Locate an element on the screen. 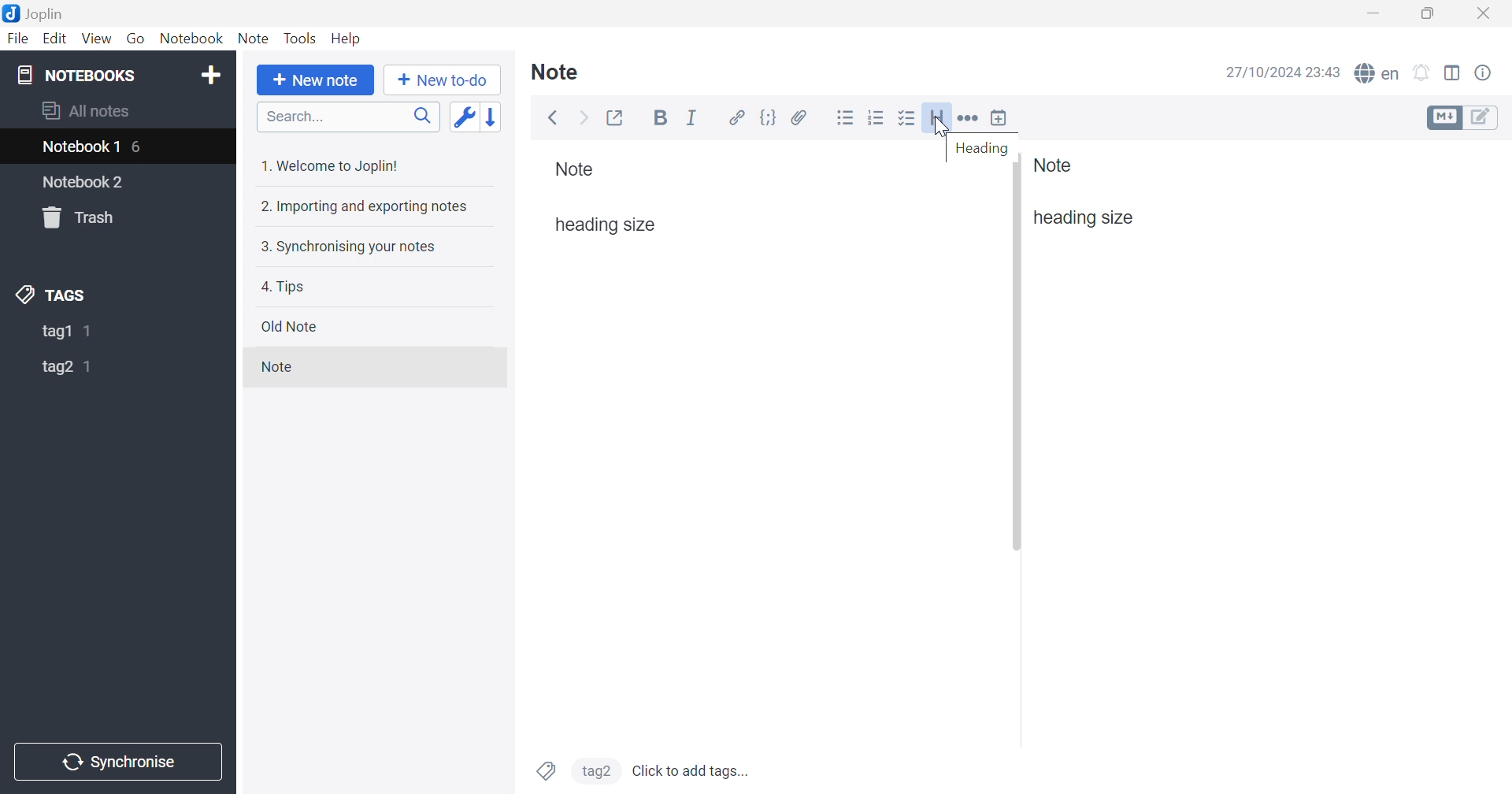 Image resolution: width=1512 pixels, height=794 pixels. Forward is located at coordinates (583, 119).